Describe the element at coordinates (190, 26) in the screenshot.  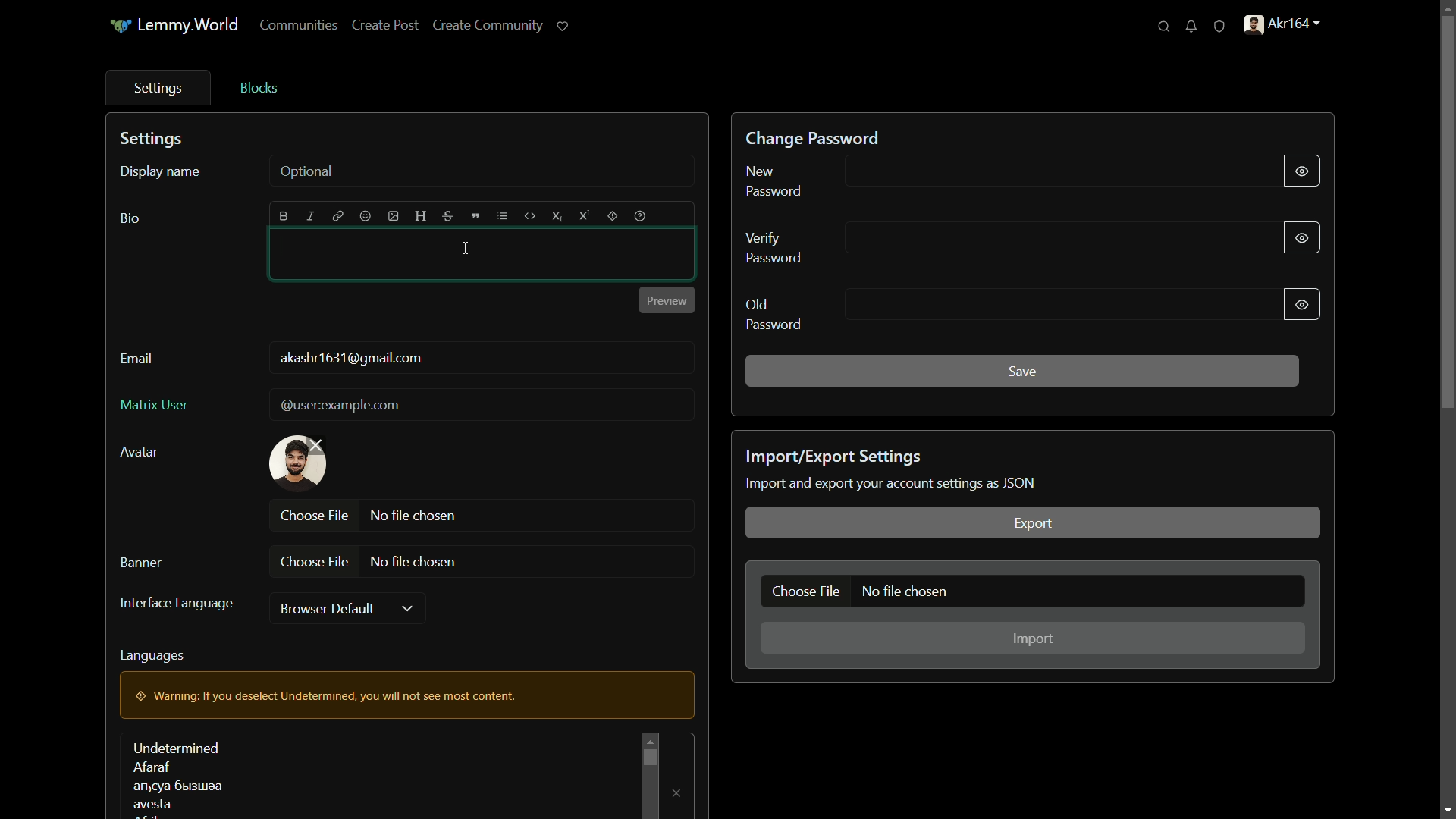
I see `Lemmy.World` at that location.